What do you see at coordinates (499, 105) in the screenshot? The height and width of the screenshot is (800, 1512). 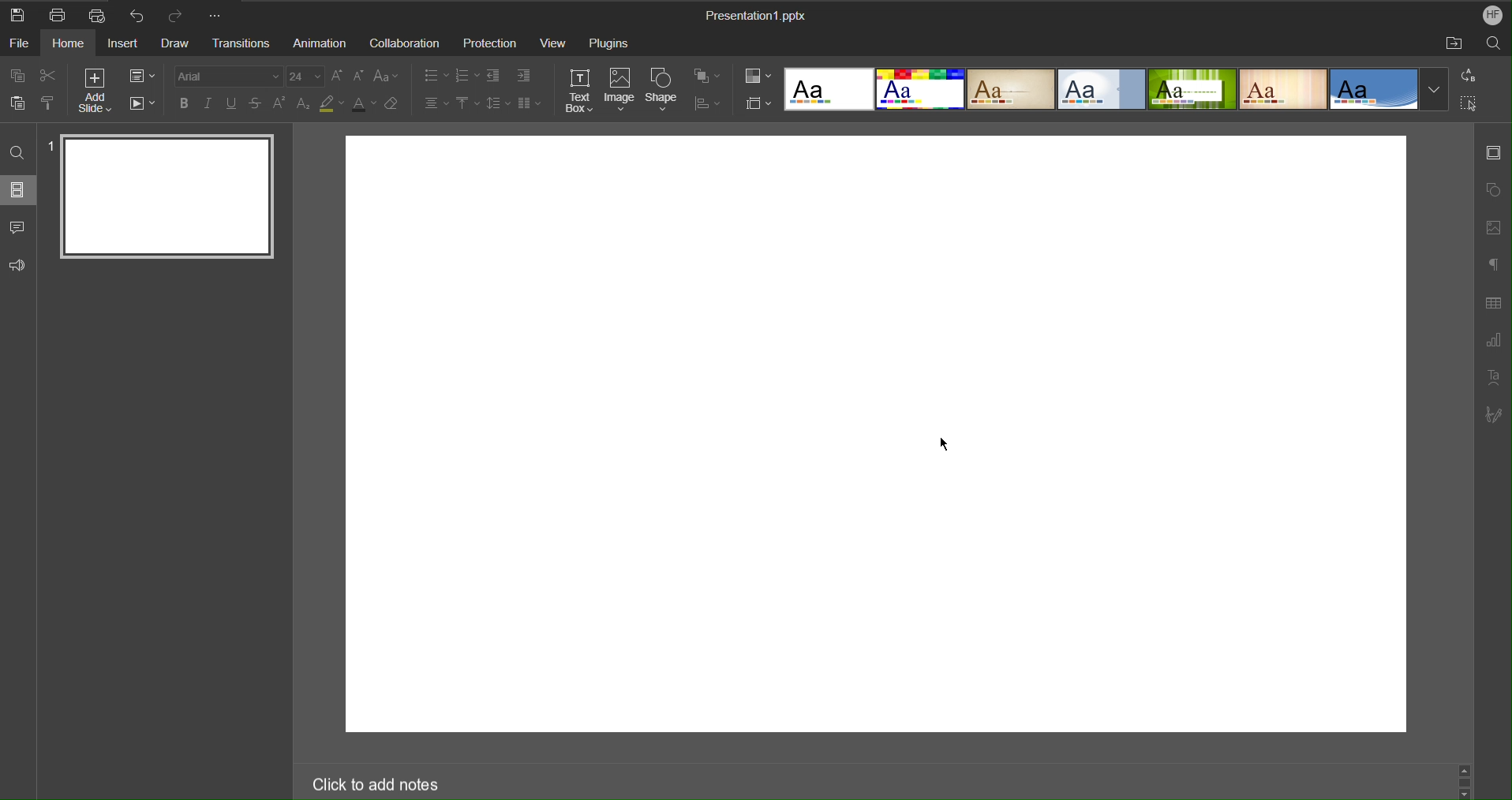 I see `Line Spacing` at bounding box center [499, 105].